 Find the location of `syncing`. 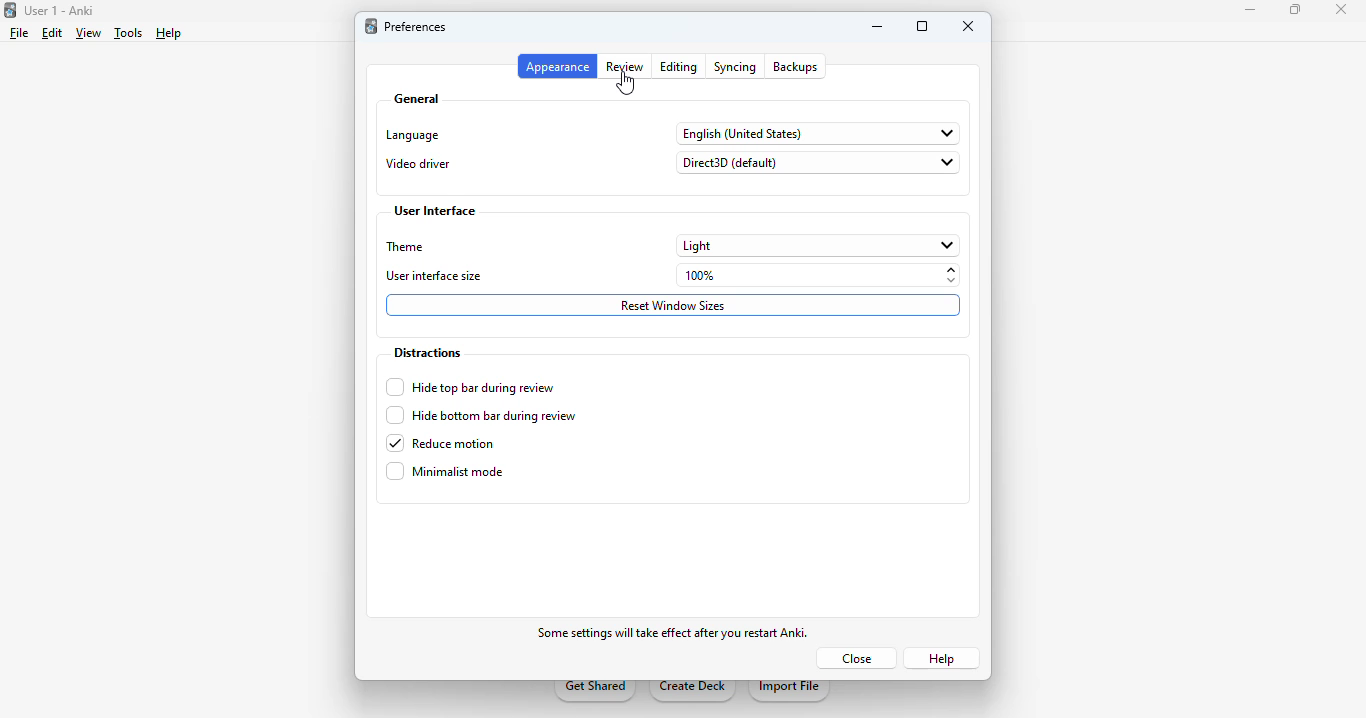

syncing is located at coordinates (733, 66).